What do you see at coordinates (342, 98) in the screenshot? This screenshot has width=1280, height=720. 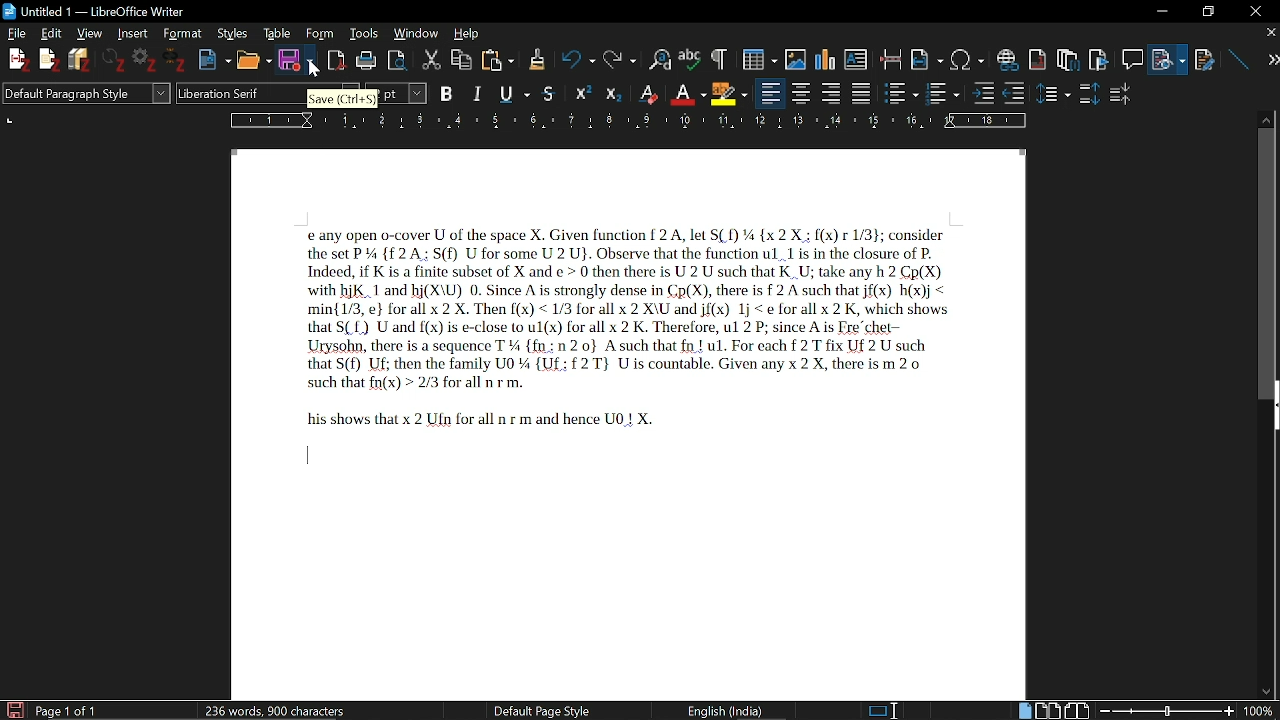 I see `Save (Ctrl+S)` at bounding box center [342, 98].